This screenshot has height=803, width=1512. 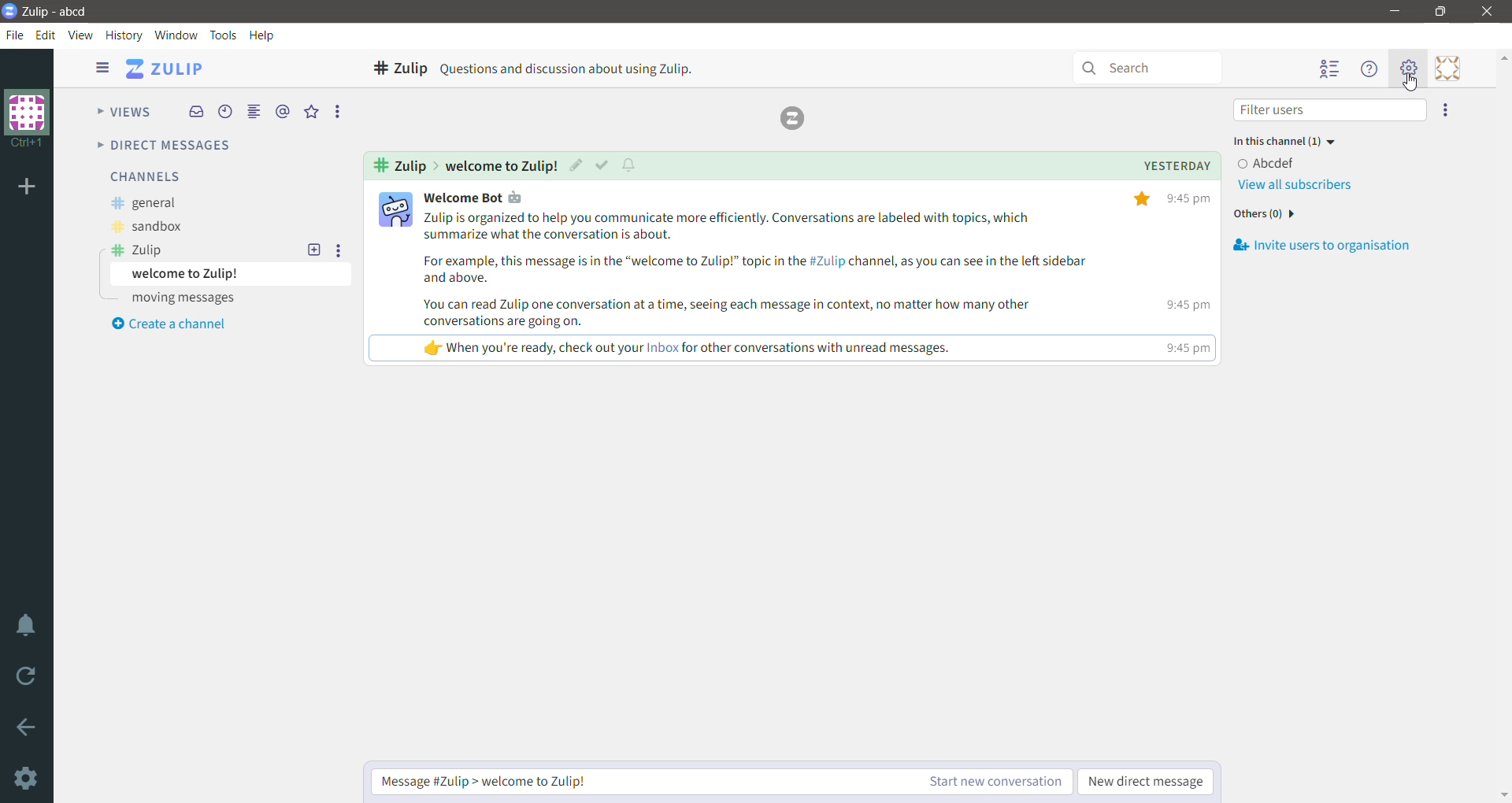 What do you see at coordinates (53, 11) in the screenshot?
I see `Application Logo and Name - Organization Name` at bounding box center [53, 11].